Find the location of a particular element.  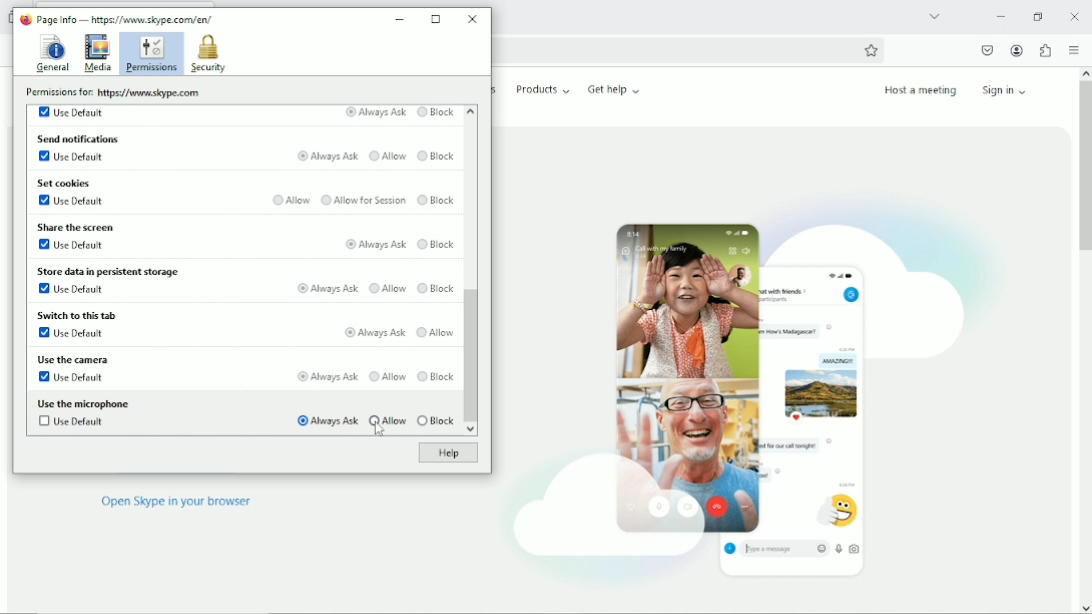

Help is located at coordinates (445, 454).